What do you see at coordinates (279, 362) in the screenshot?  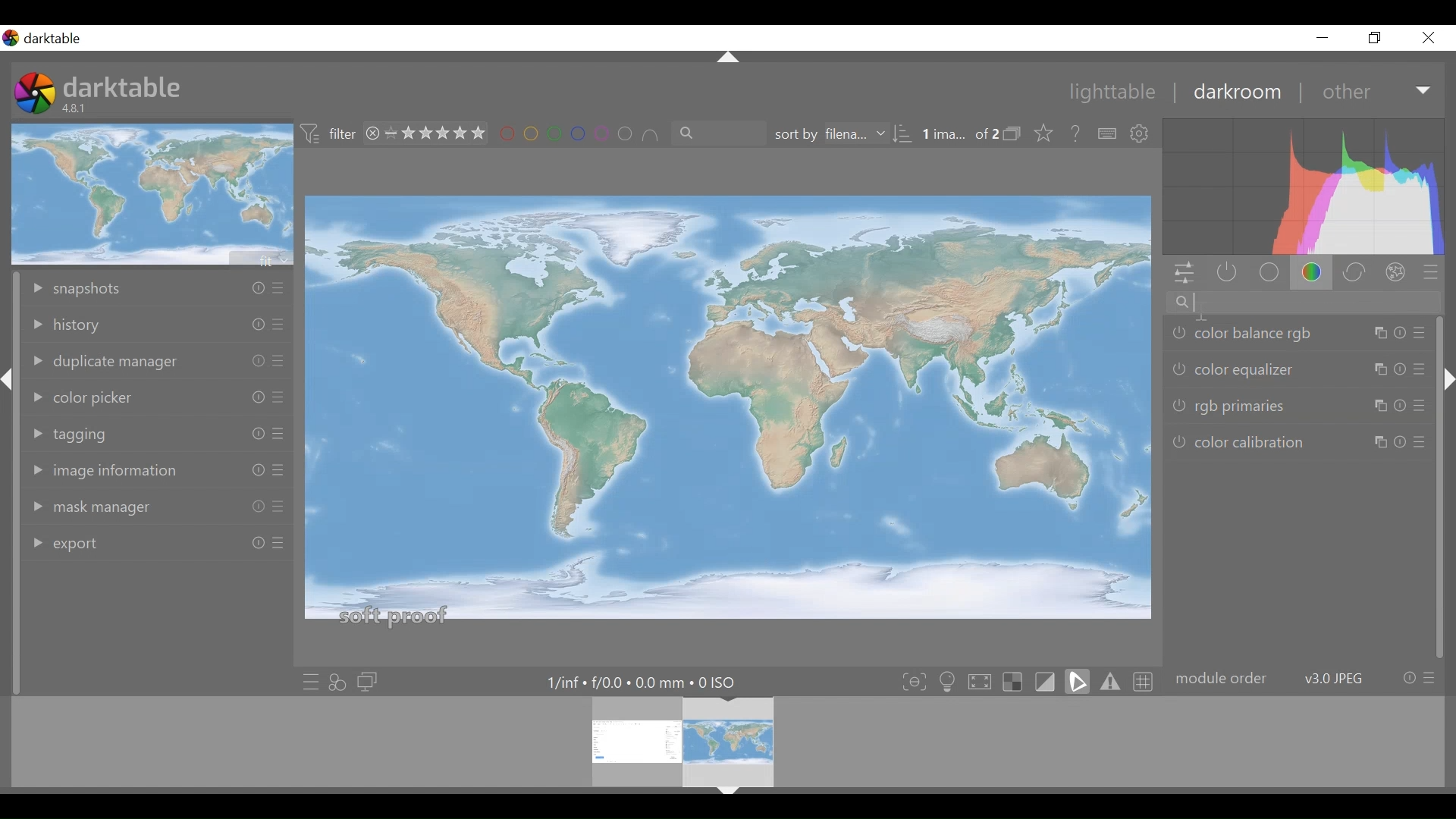 I see `` at bounding box center [279, 362].